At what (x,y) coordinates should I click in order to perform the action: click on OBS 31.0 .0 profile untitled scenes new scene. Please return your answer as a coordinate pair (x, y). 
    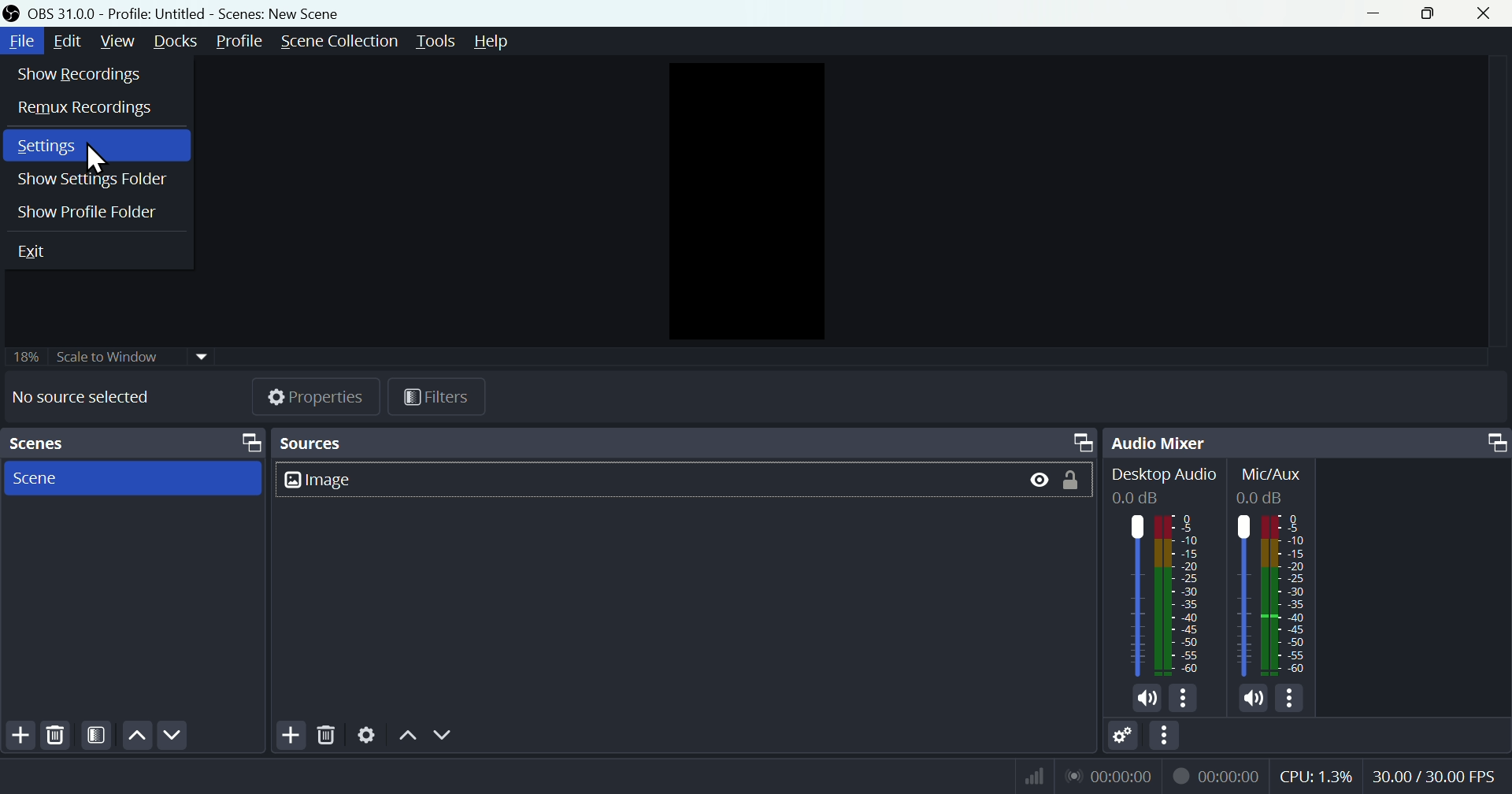
    Looking at the image, I should click on (221, 12).